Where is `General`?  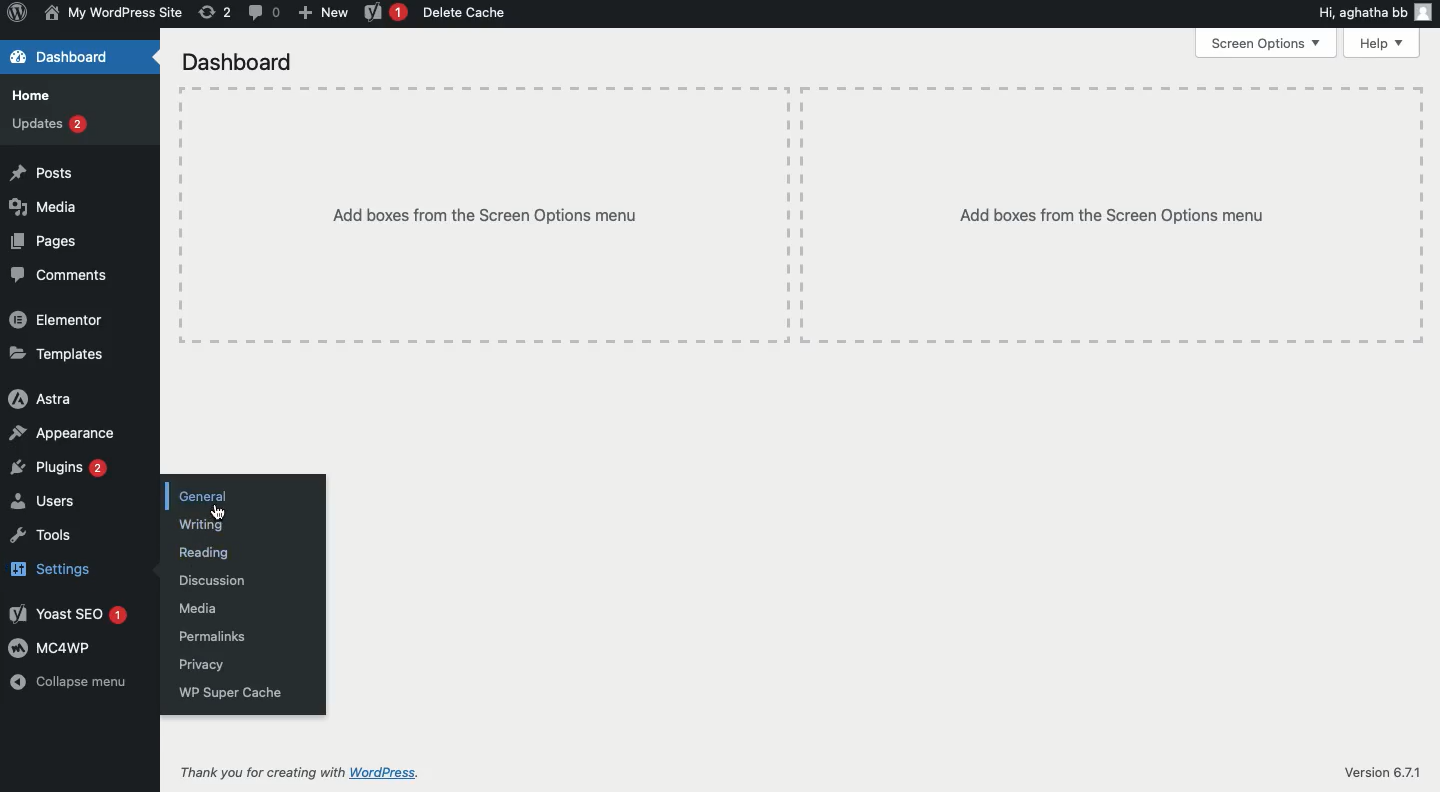
General is located at coordinates (204, 495).